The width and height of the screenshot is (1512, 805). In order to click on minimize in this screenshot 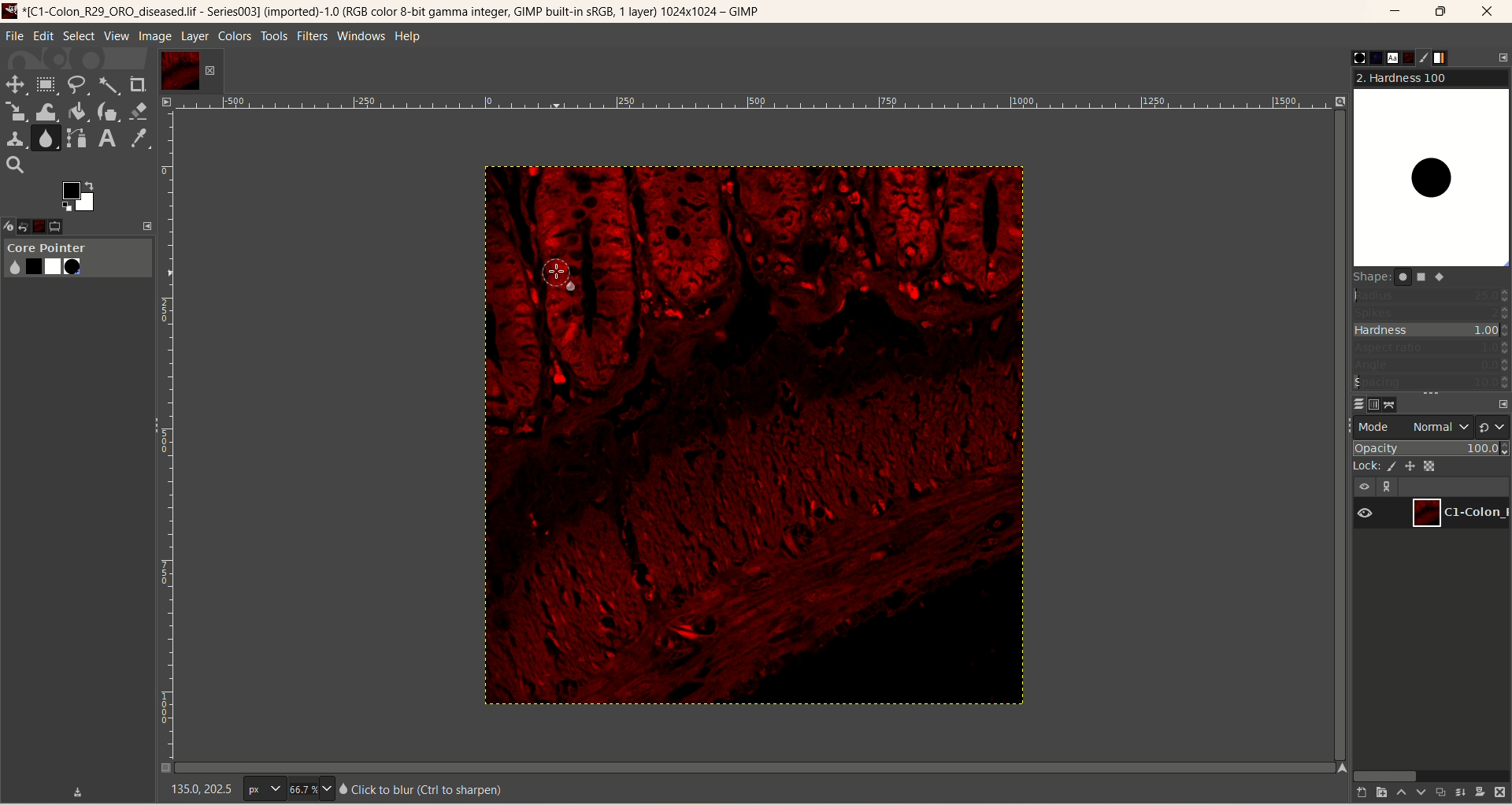, I will do `click(1395, 14)`.